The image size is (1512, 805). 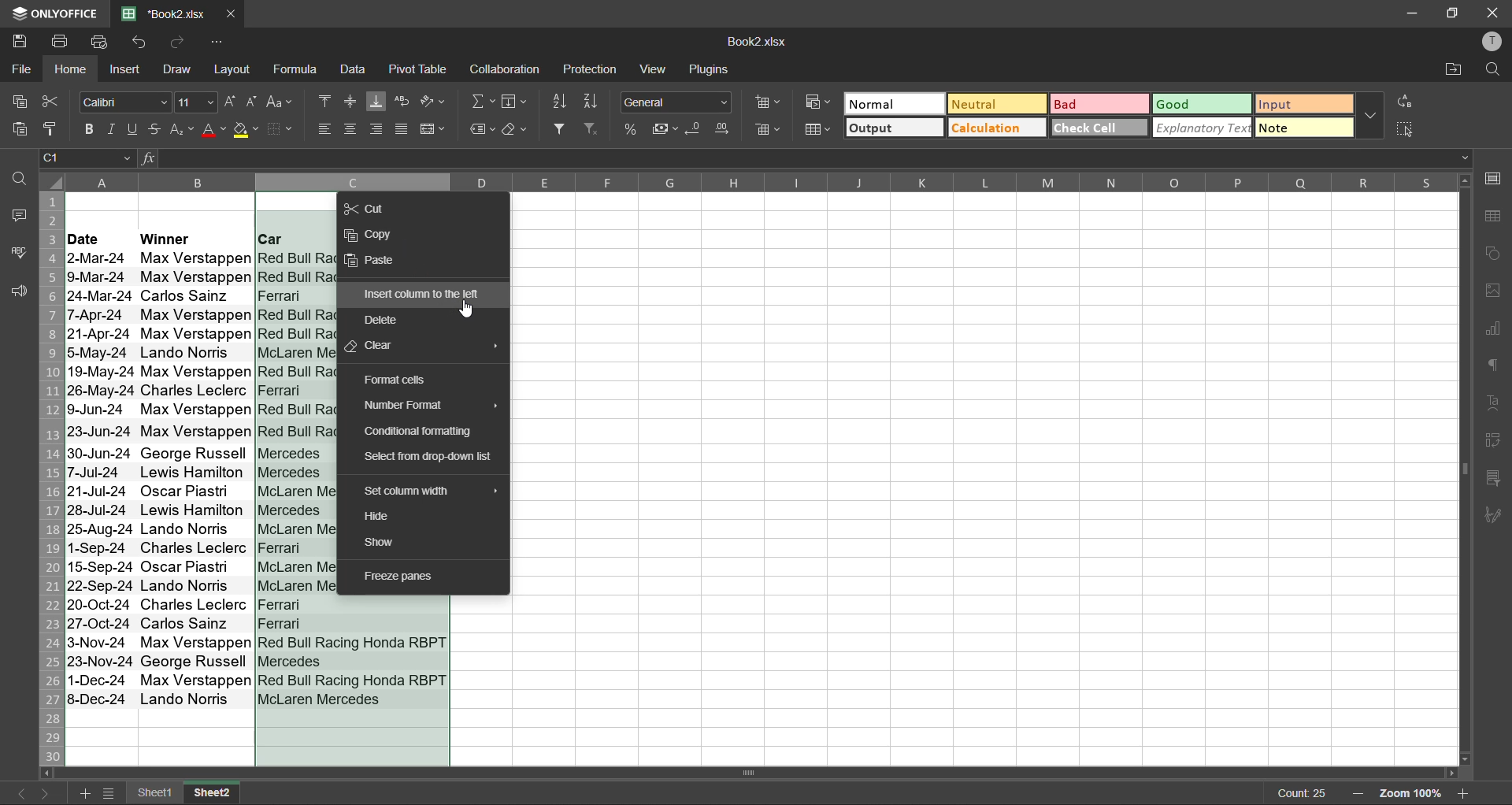 What do you see at coordinates (509, 72) in the screenshot?
I see `collaboration` at bounding box center [509, 72].